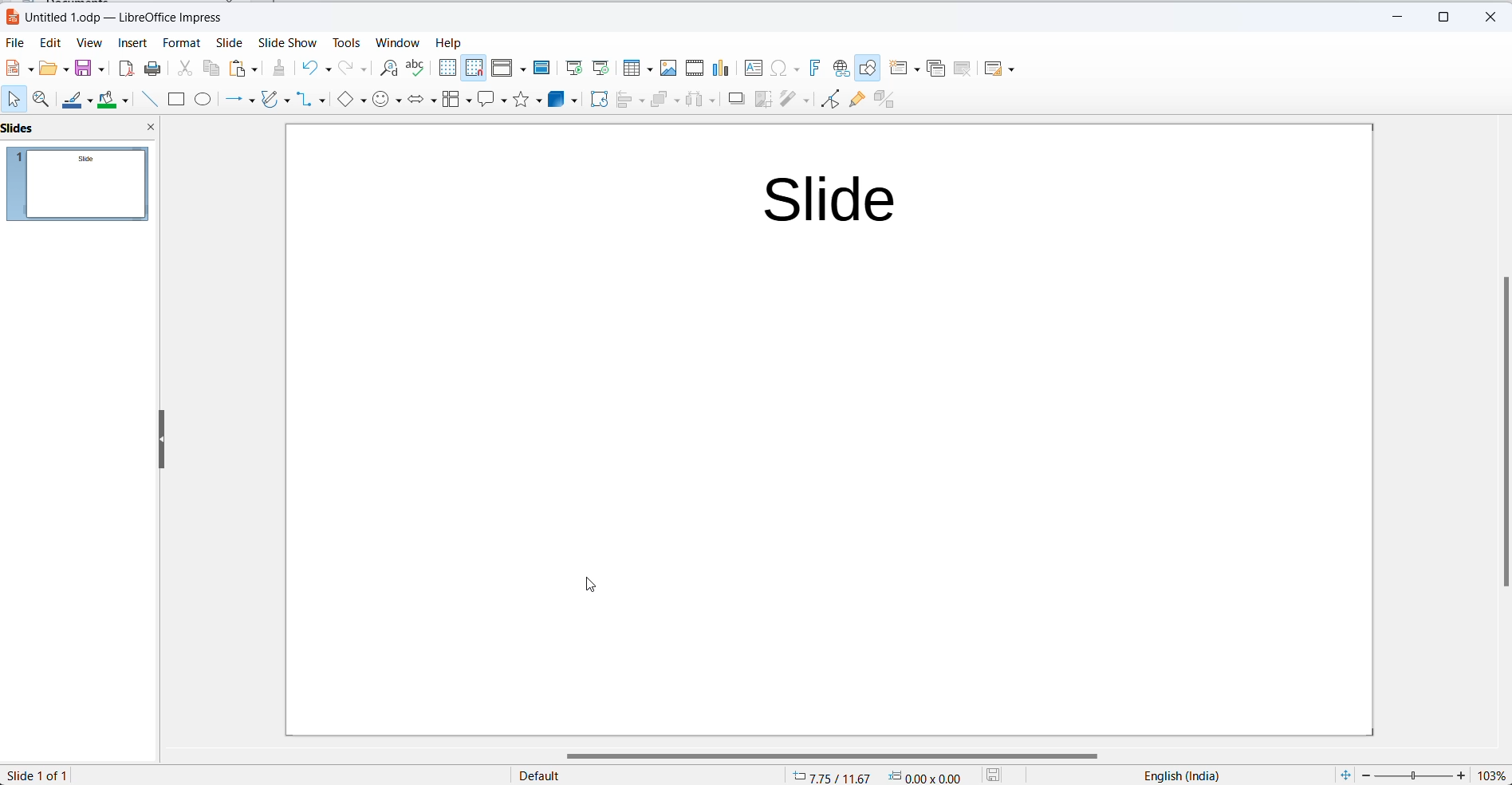  I want to click on select, so click(10, 100).